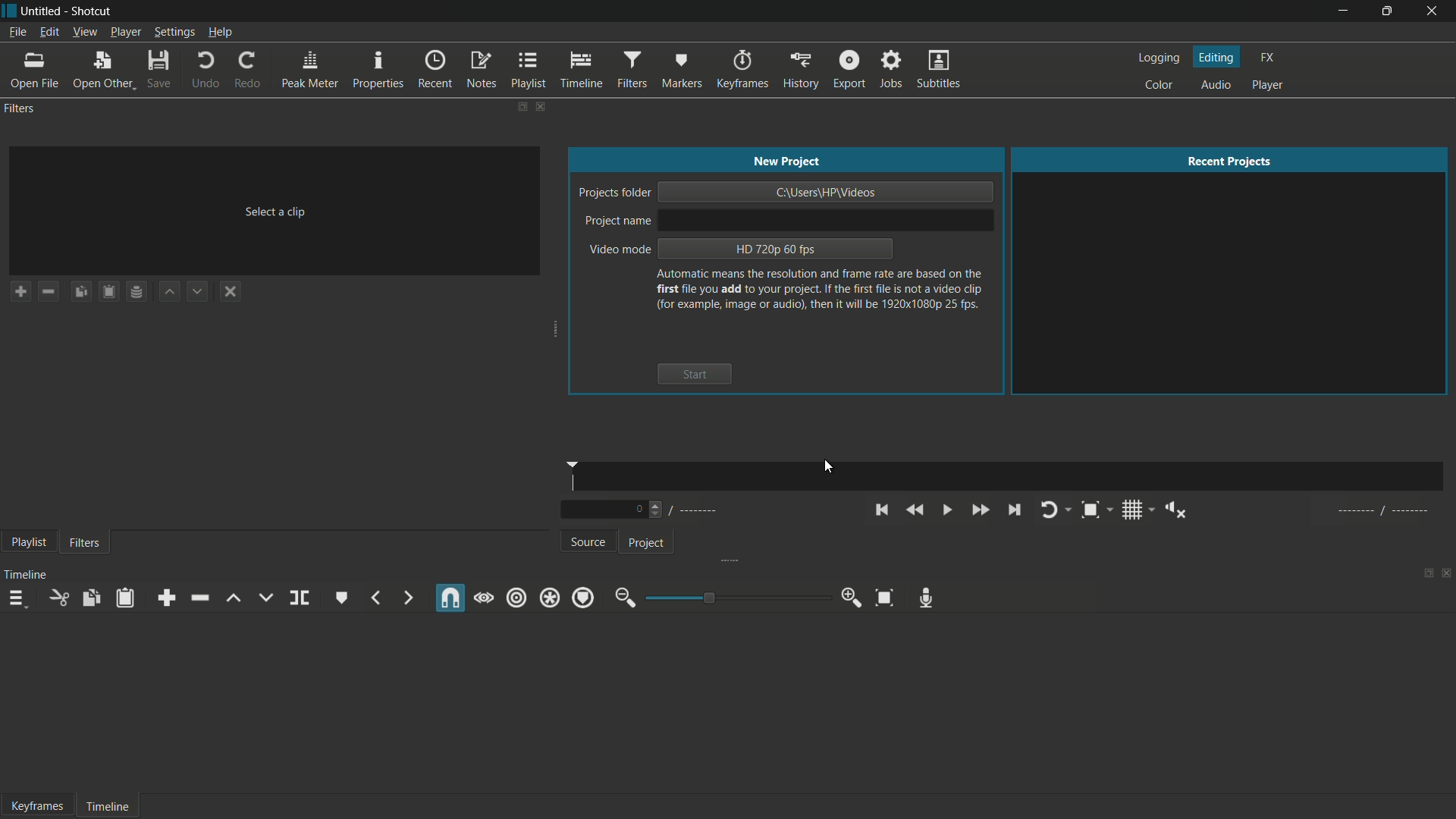 The image size is (1456, 819). I want to click on filters, so click(84, 544).